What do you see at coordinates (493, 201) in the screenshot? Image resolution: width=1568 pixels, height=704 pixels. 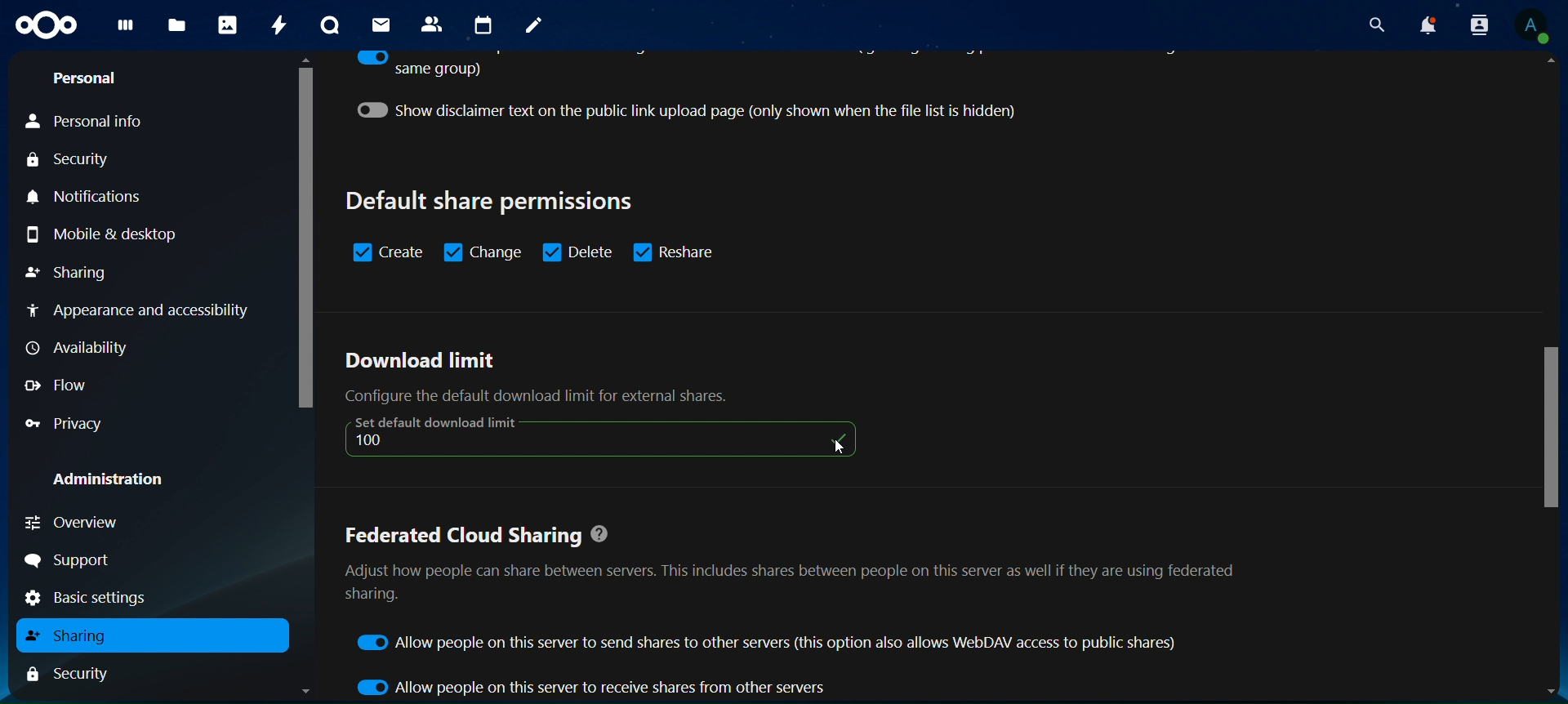 I see `default share permissions` at bounding box center [493, 201].